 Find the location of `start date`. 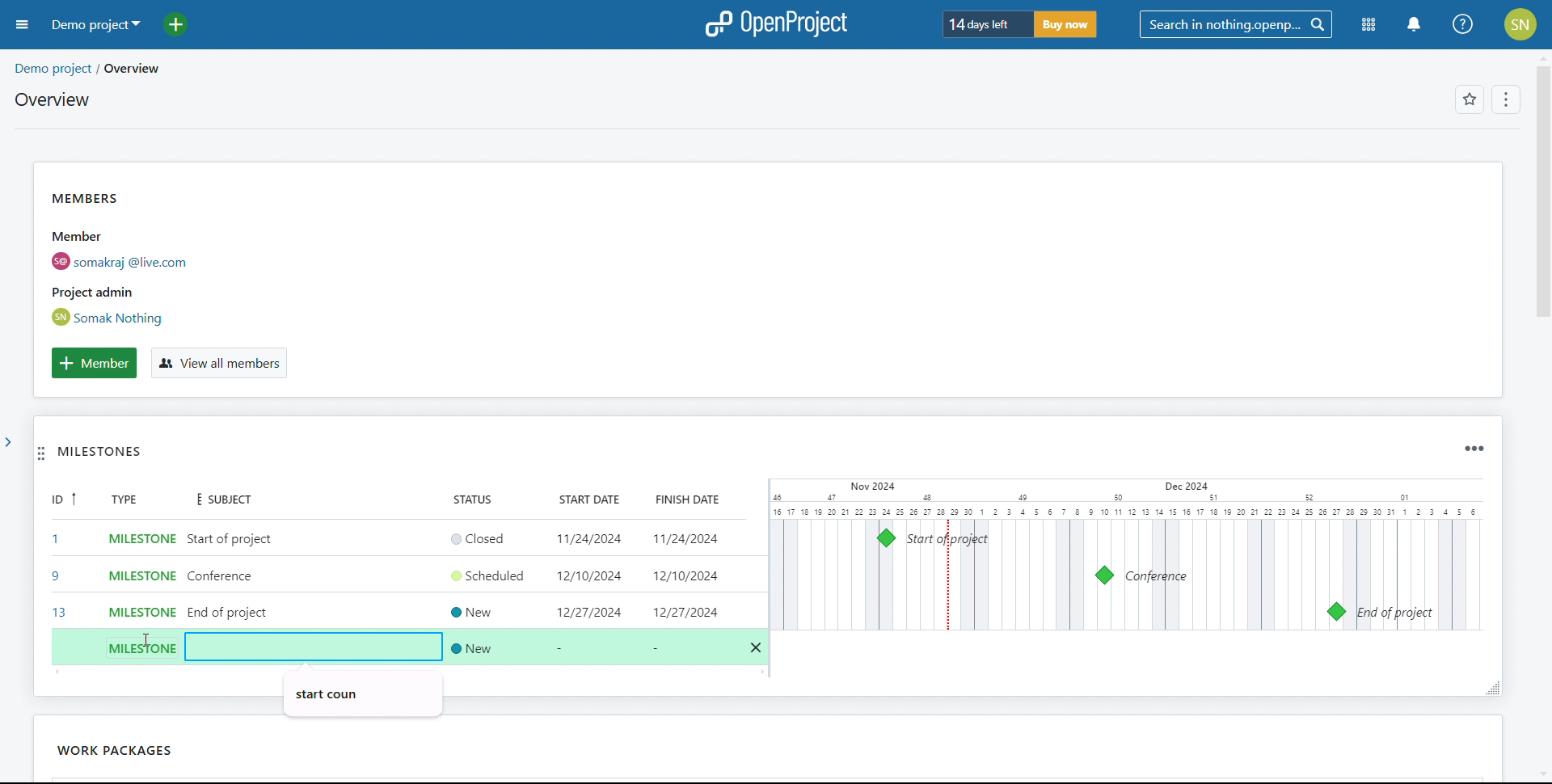

start date is located at coordinates (584, 500).